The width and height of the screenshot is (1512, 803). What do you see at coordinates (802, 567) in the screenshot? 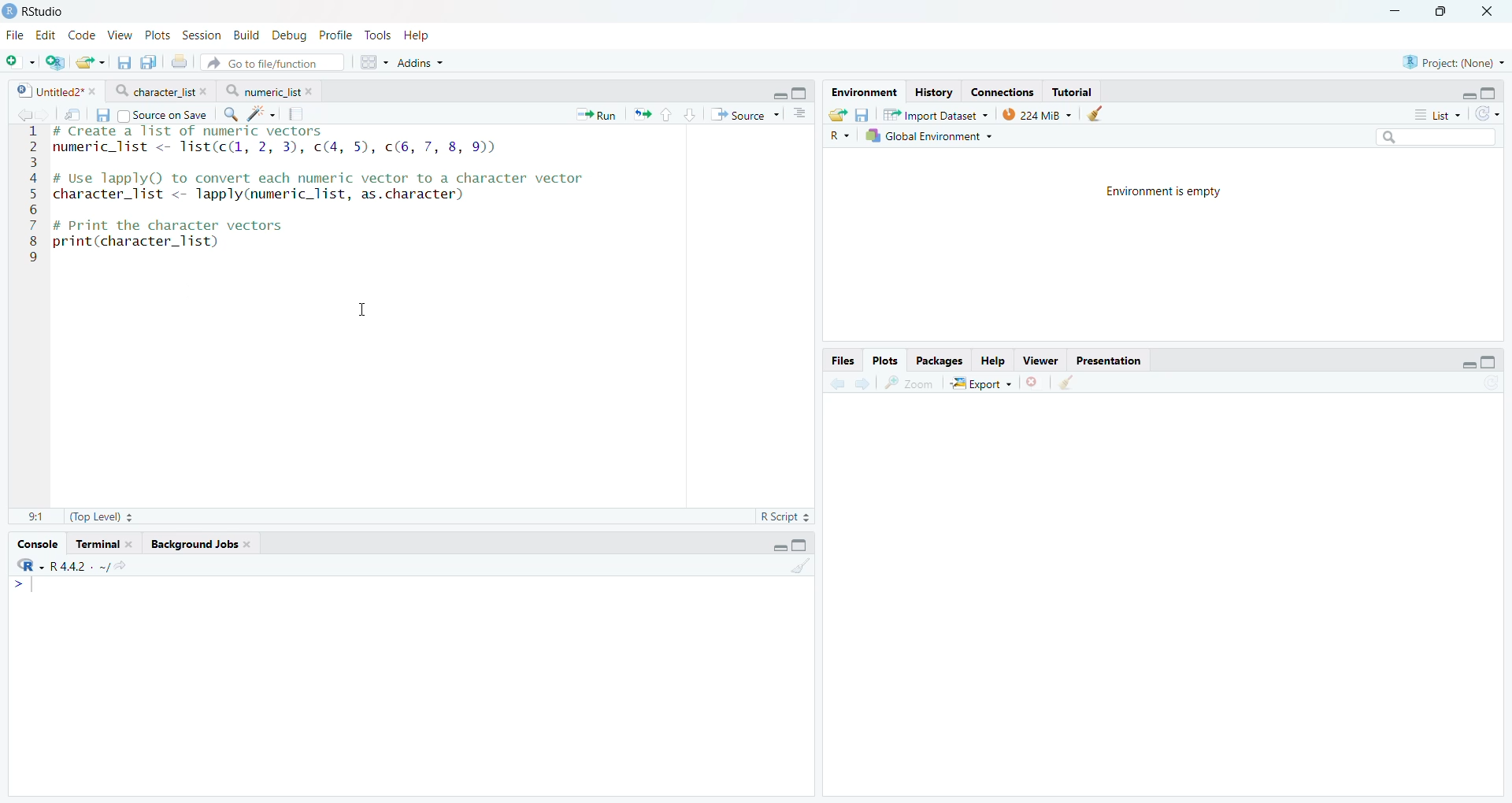
I see `Clear` at bounding box center [802, 567].